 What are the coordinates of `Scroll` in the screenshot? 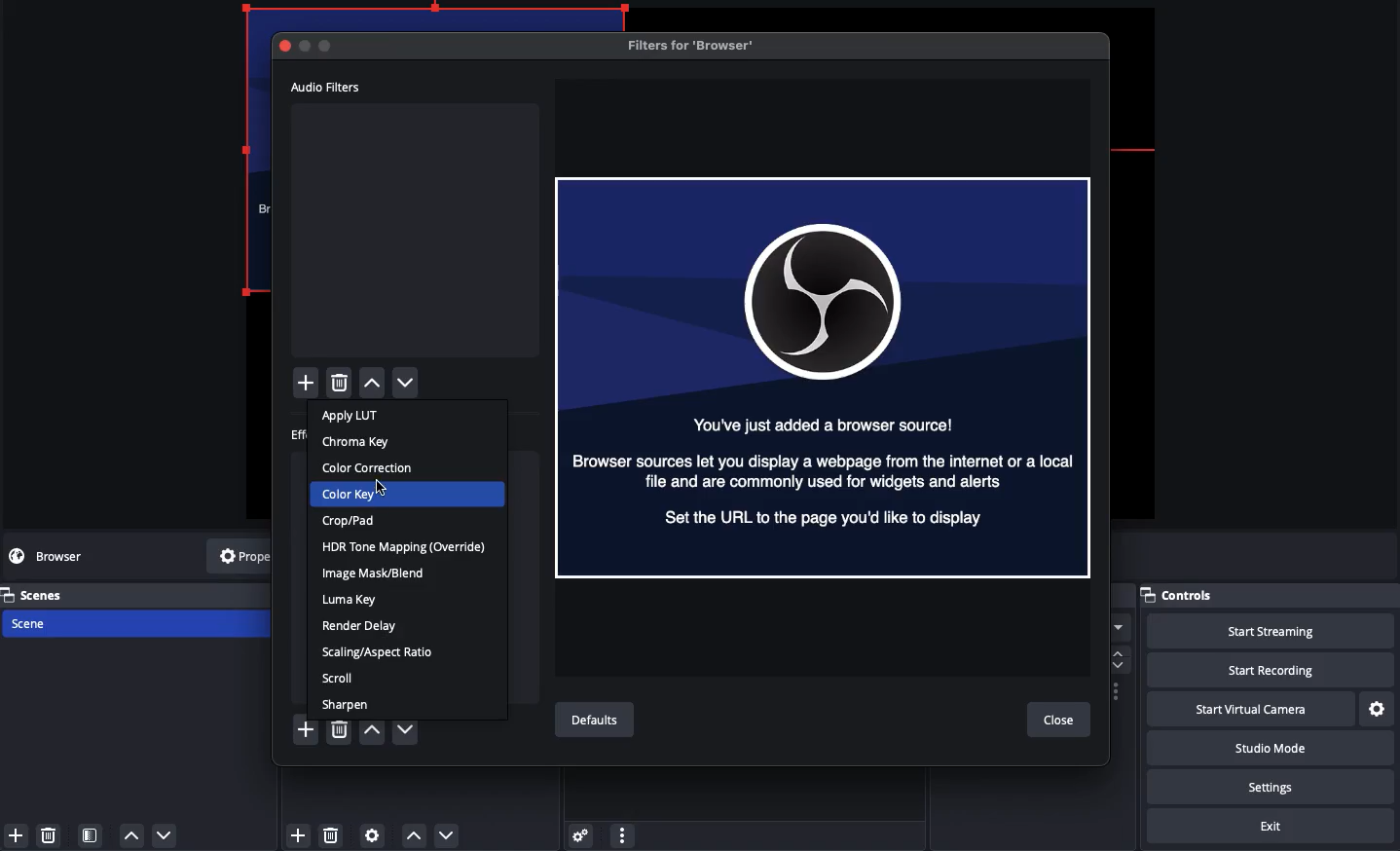 It's located at (339, 678).